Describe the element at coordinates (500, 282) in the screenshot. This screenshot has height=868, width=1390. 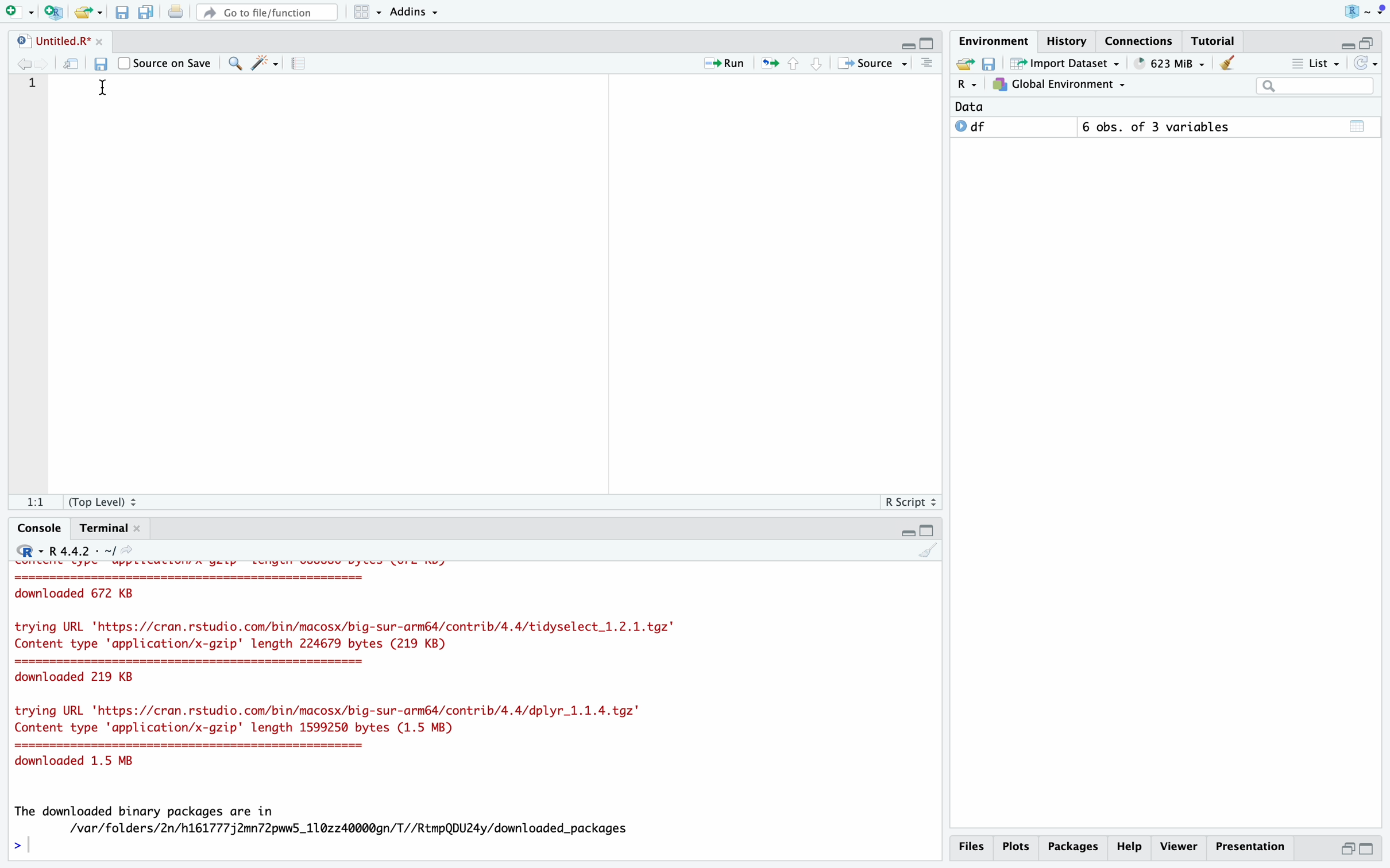
I see `Code Editor` at that location.